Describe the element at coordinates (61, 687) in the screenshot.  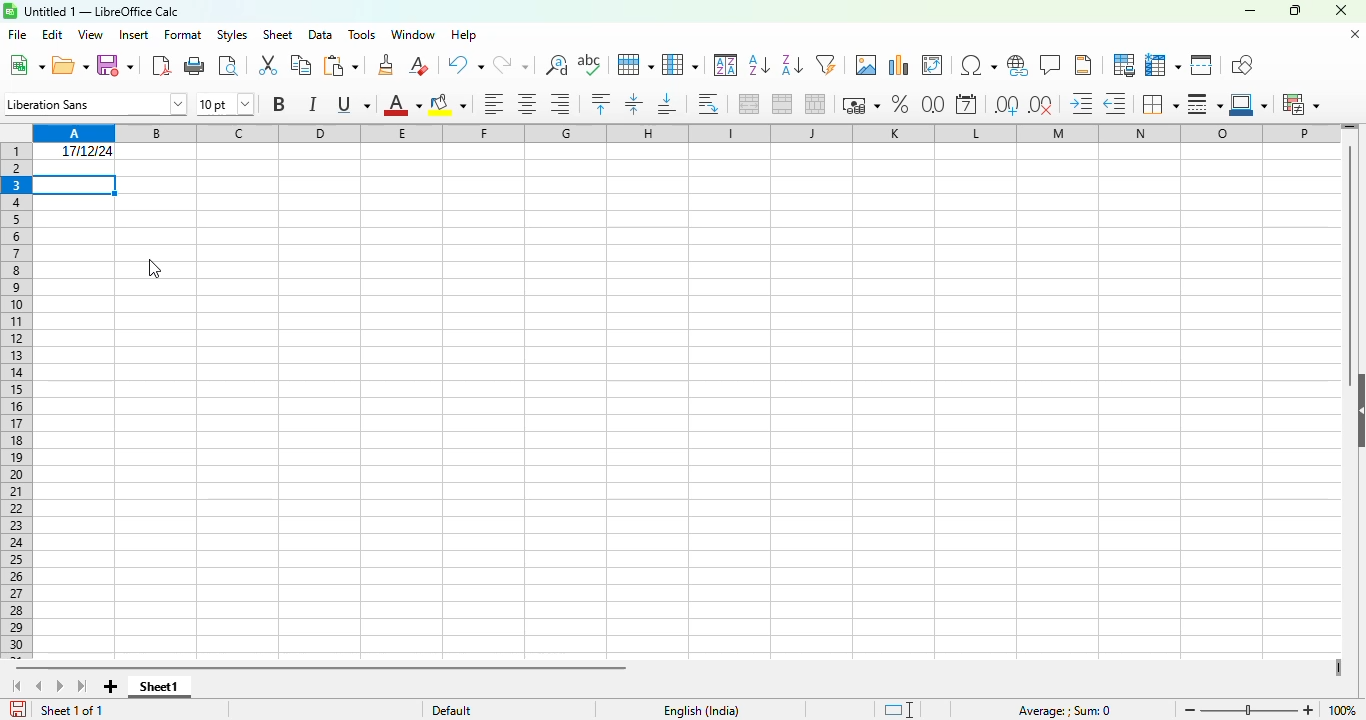
I see `scroll to next page` at that location.